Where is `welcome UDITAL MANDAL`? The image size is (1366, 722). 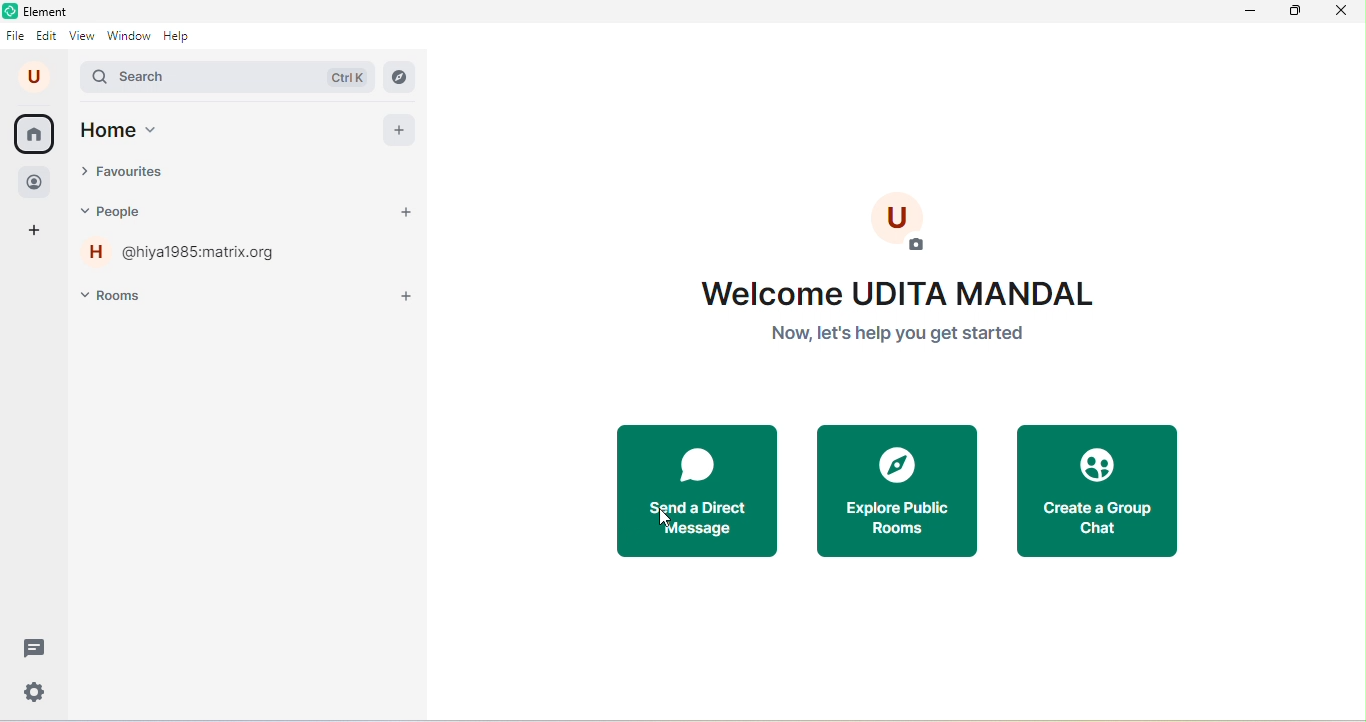 welcome UDITAL MANDAL is located at coordinates (897, 292).